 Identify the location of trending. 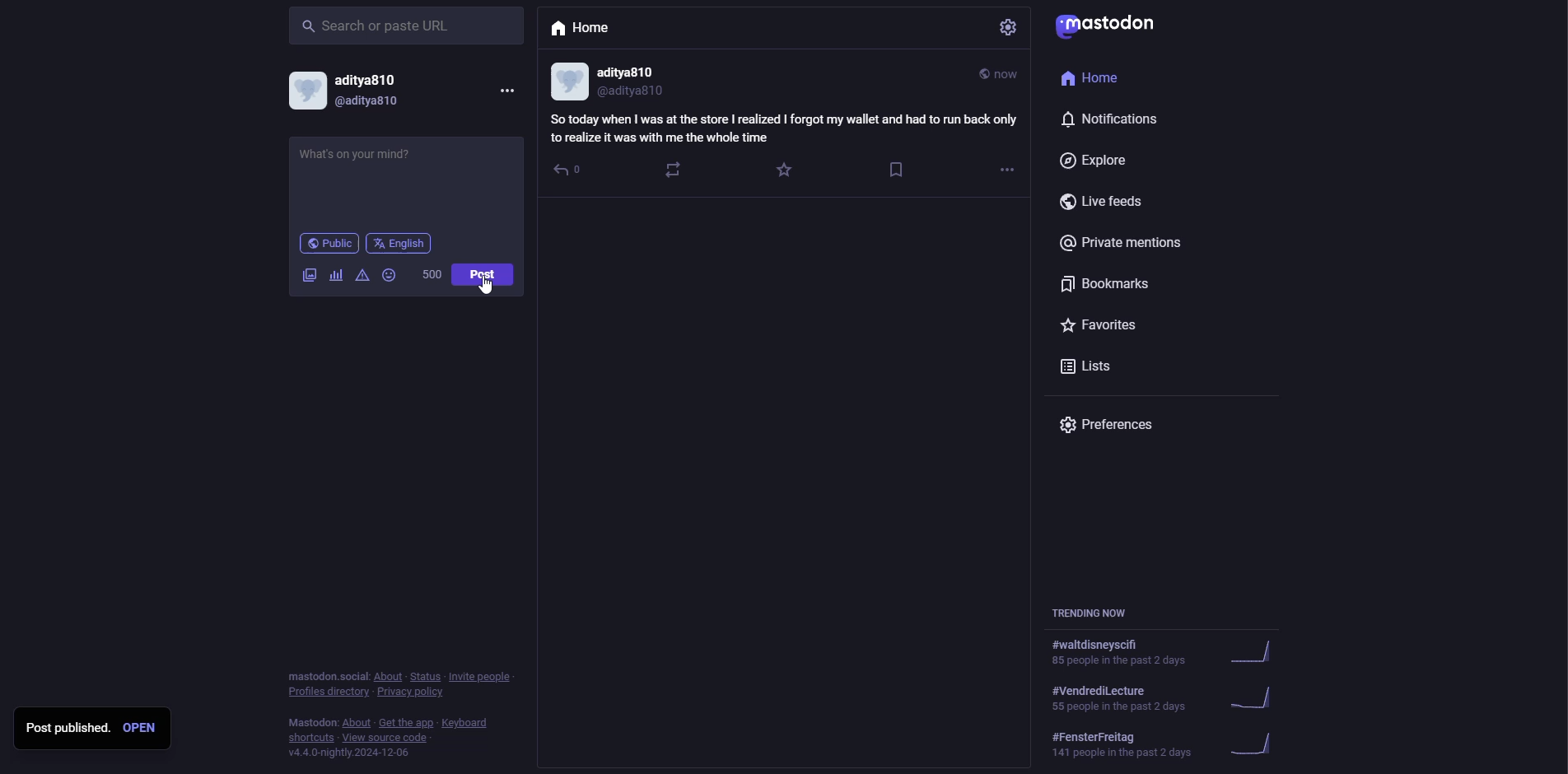
(1172, 748).